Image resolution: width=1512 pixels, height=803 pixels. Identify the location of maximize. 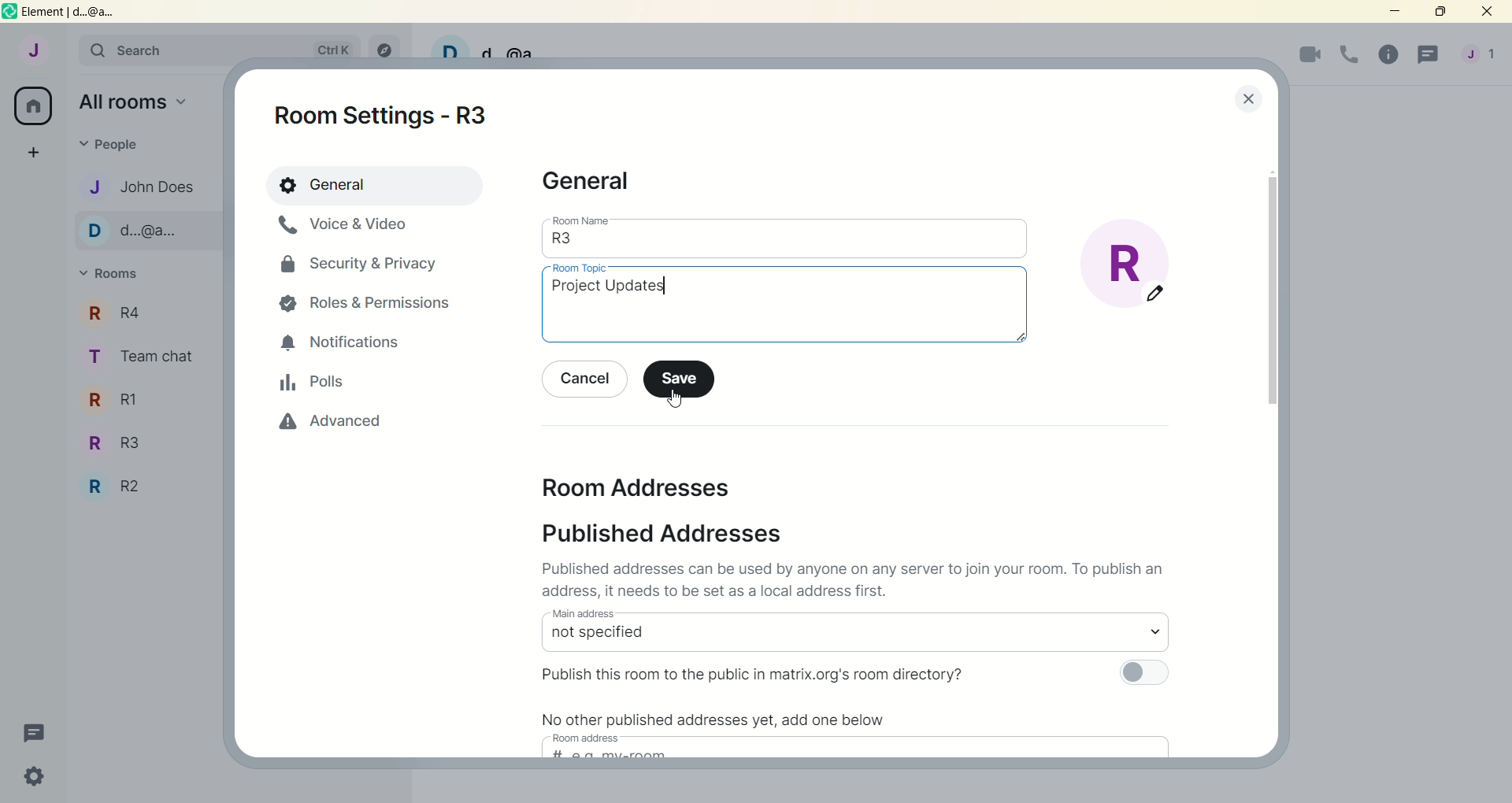
(1447, 15).